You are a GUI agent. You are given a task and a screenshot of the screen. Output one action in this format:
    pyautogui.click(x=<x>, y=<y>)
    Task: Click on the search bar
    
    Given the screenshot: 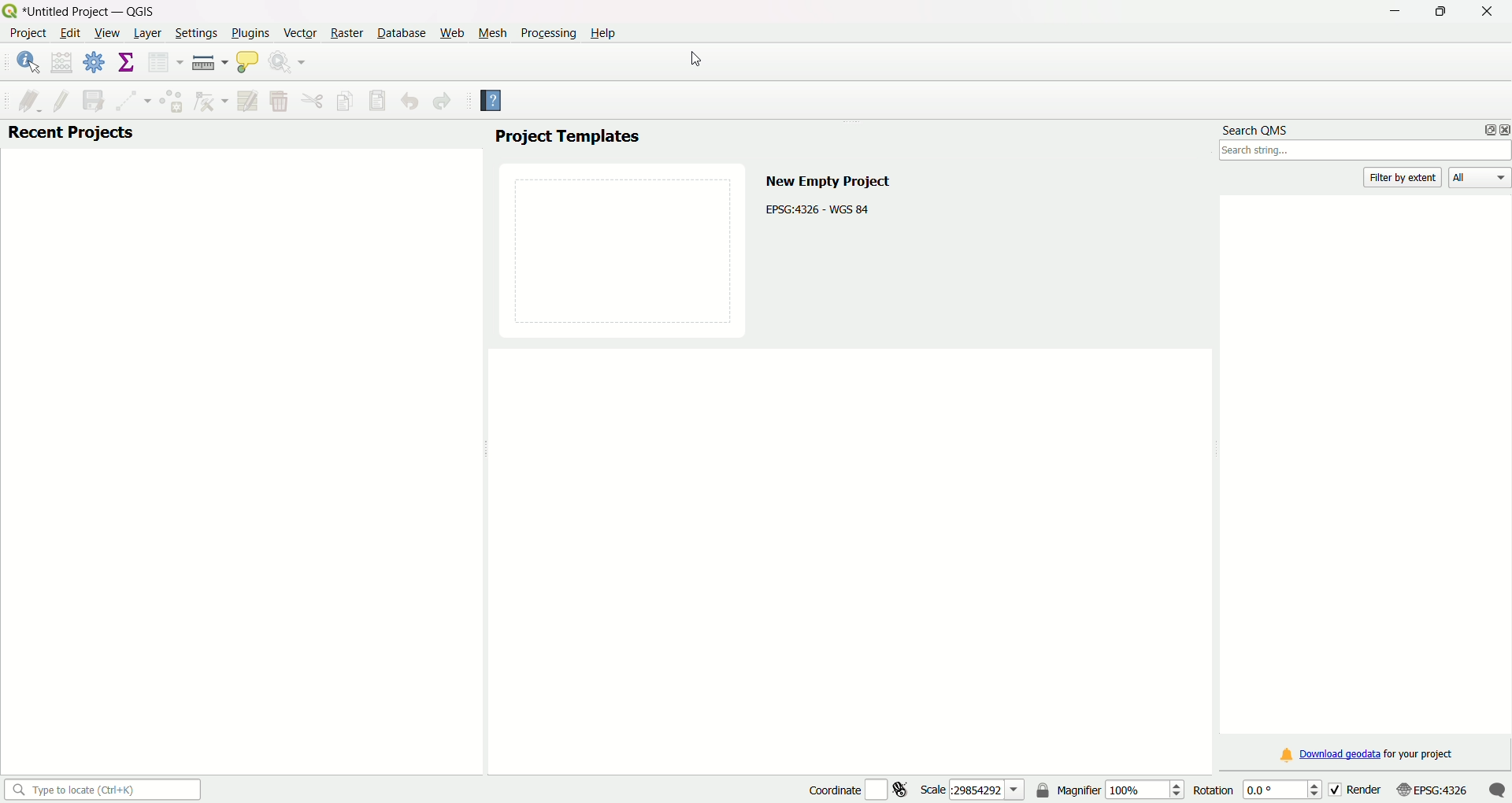 What is the action you would take?
    pyautogui.click(x=1366, y=152)
    